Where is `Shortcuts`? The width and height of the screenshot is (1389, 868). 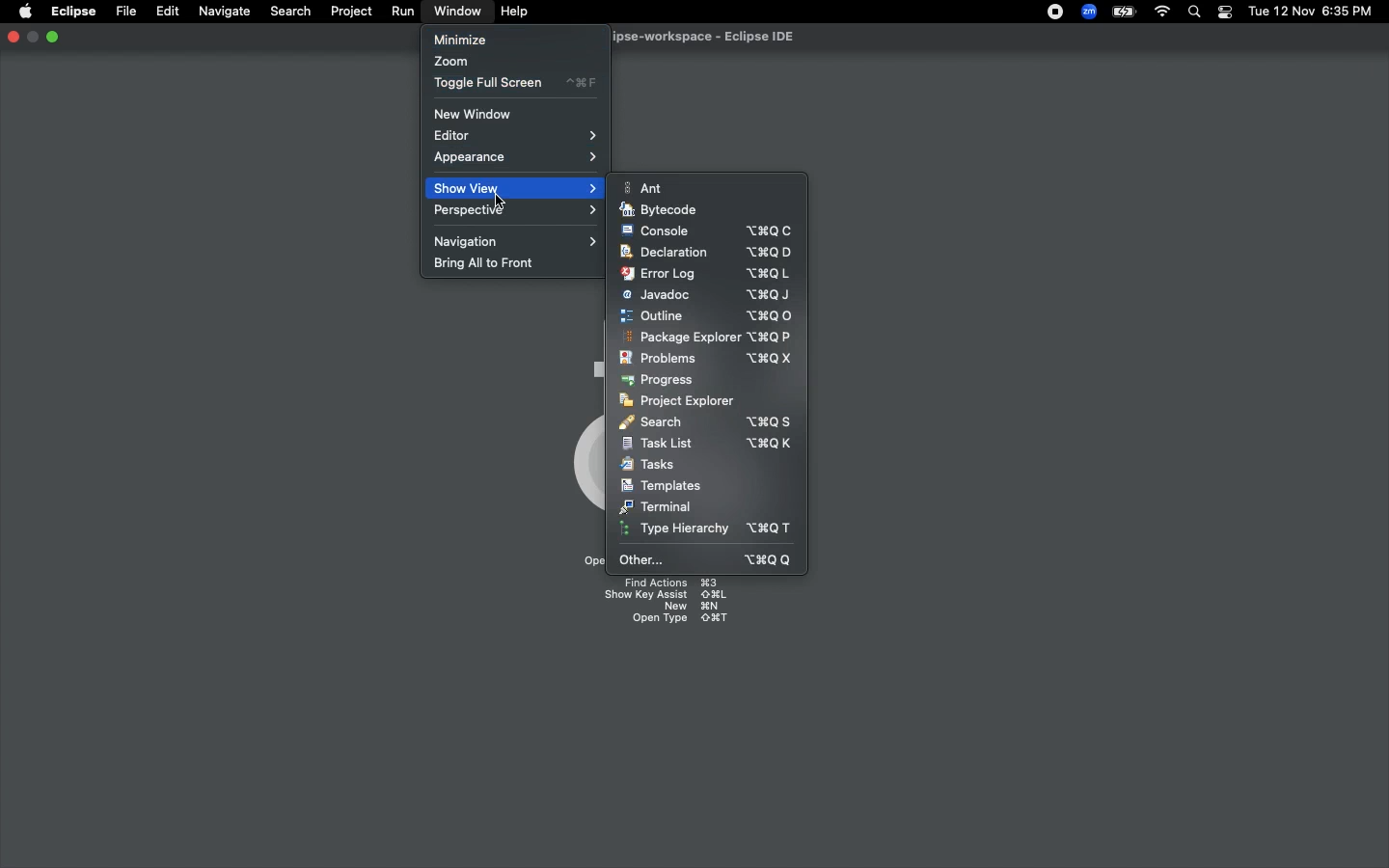 Shortcuts is located at coordinates (663, 604).